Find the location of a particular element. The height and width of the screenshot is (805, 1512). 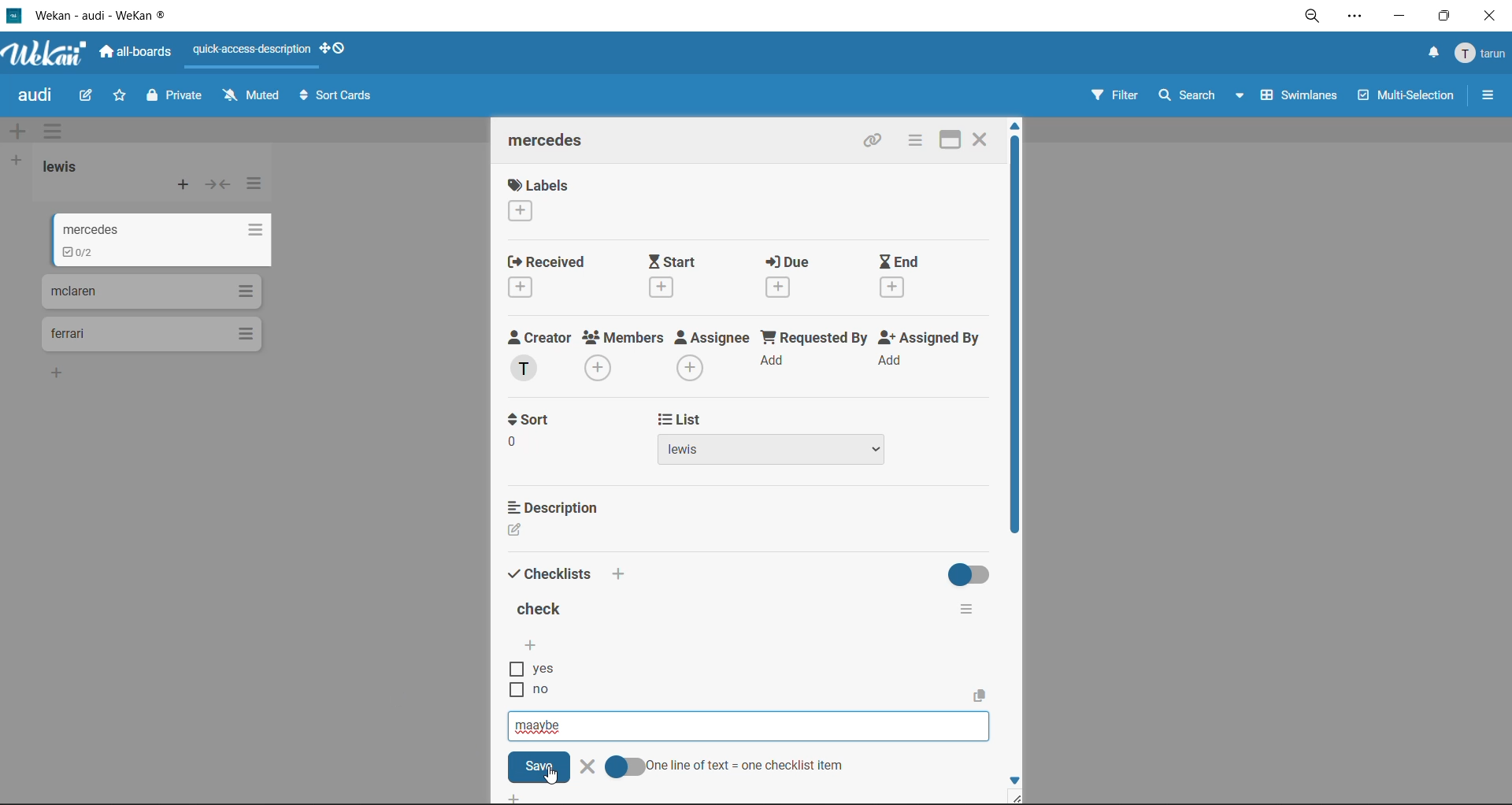

To-dos is located at coordinates (82, 252).